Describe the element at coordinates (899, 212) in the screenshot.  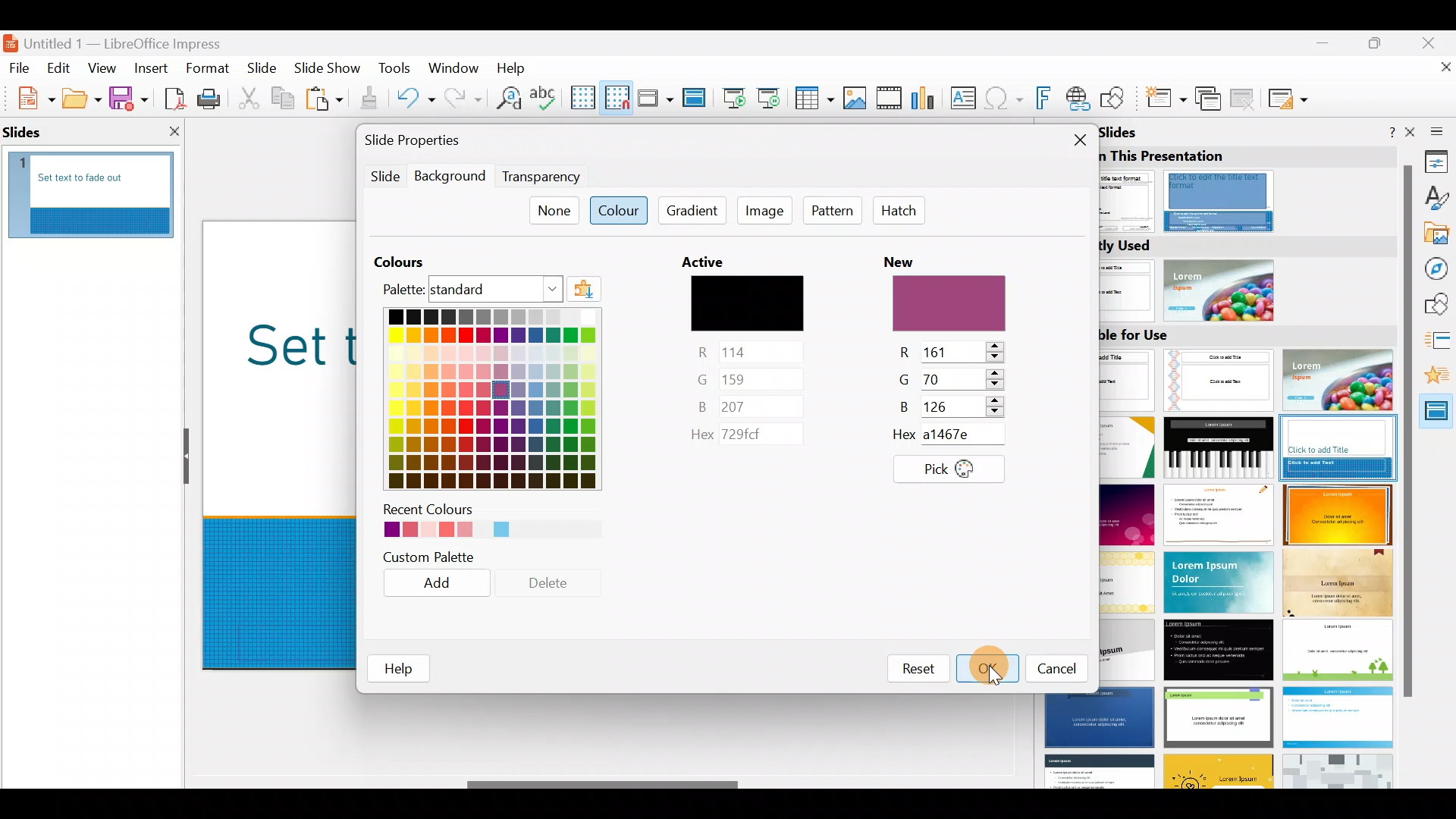
I see `Hatch` at that location.